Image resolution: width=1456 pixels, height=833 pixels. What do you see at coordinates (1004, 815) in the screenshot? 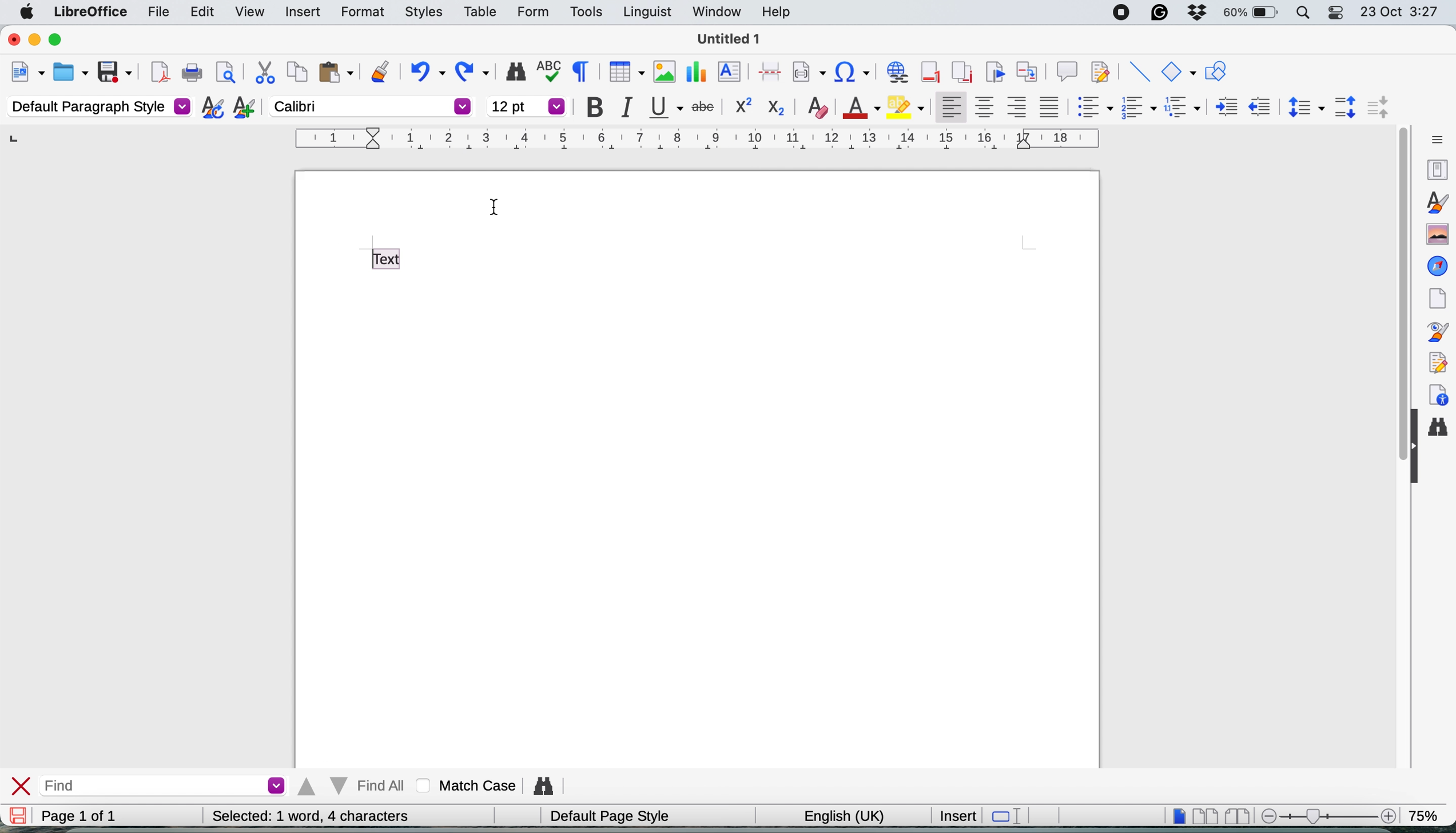
I see `standard selection` at bounding box center [1004, 815].